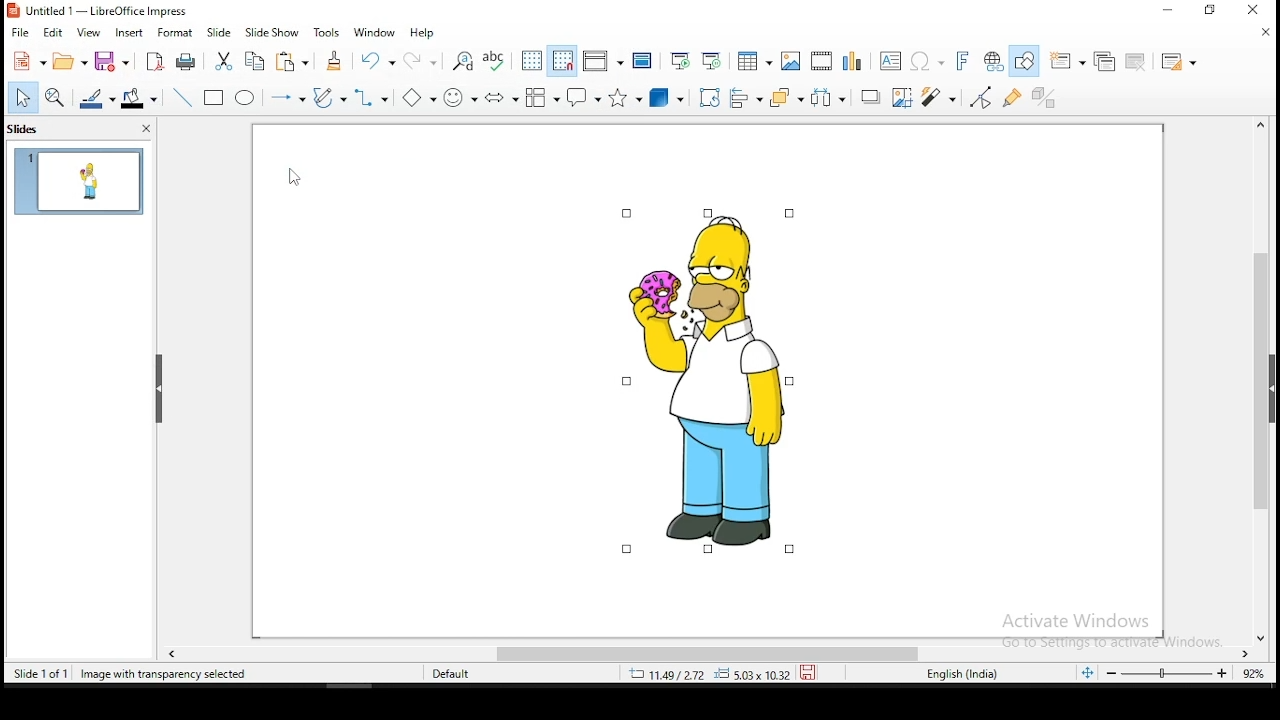 This screenshot has height=720, width=1280. Describe the element at coordinates (461, 95) in the screenshot. I see `symbol shapes` at that location.